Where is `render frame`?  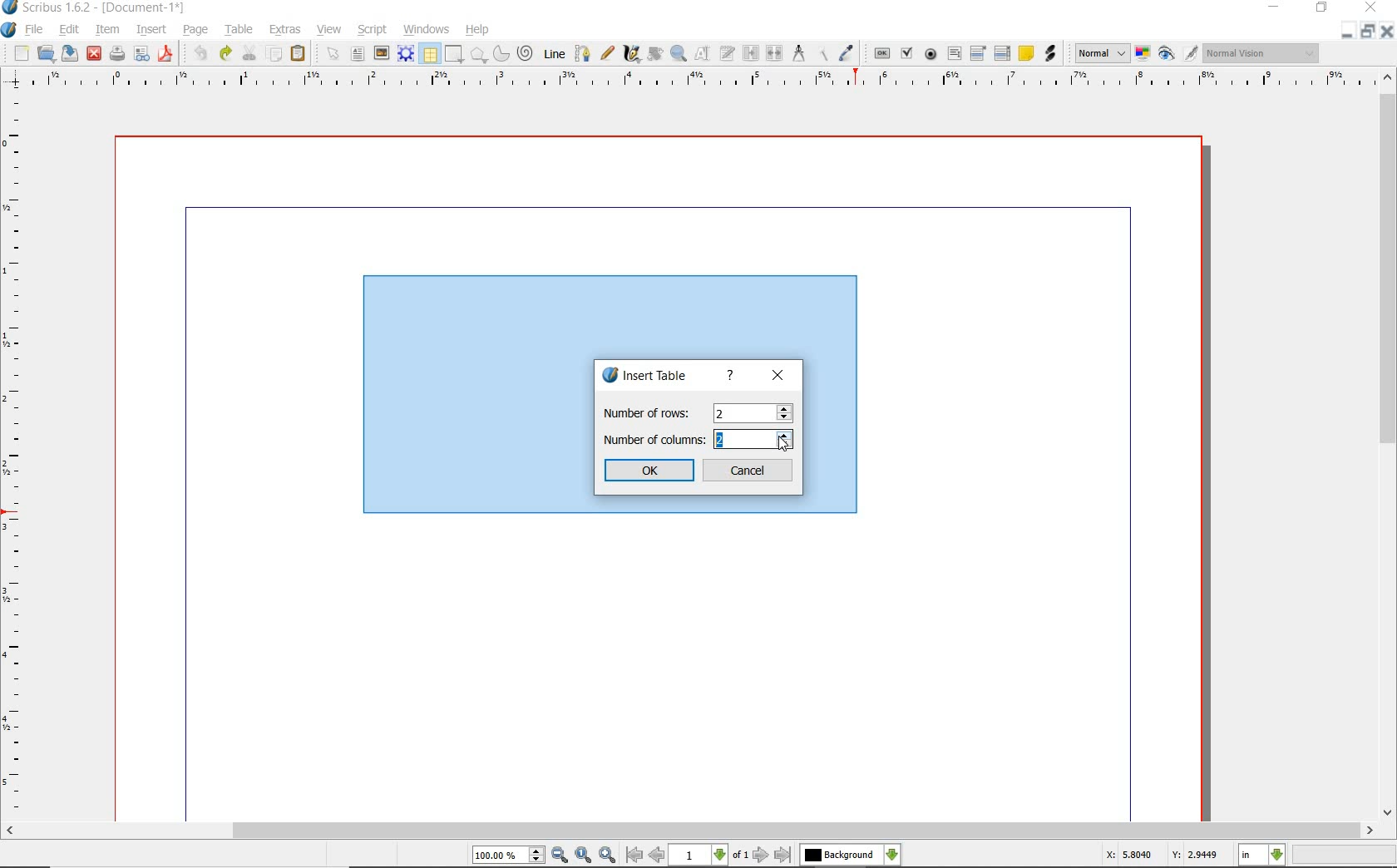
render frame is located at coordinates (406, 52).